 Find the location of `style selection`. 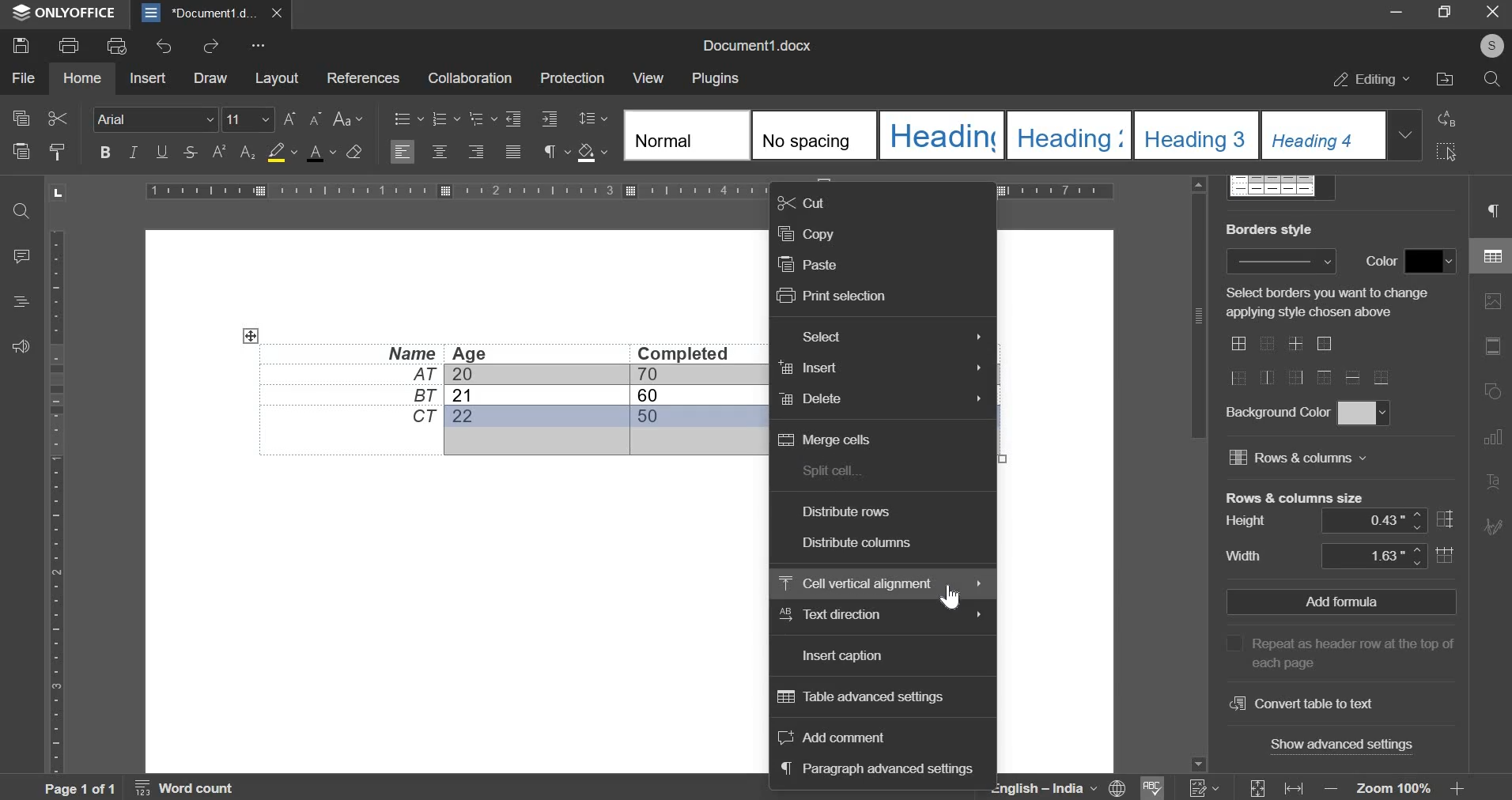

style selection is located at coordinates (1023, 135).